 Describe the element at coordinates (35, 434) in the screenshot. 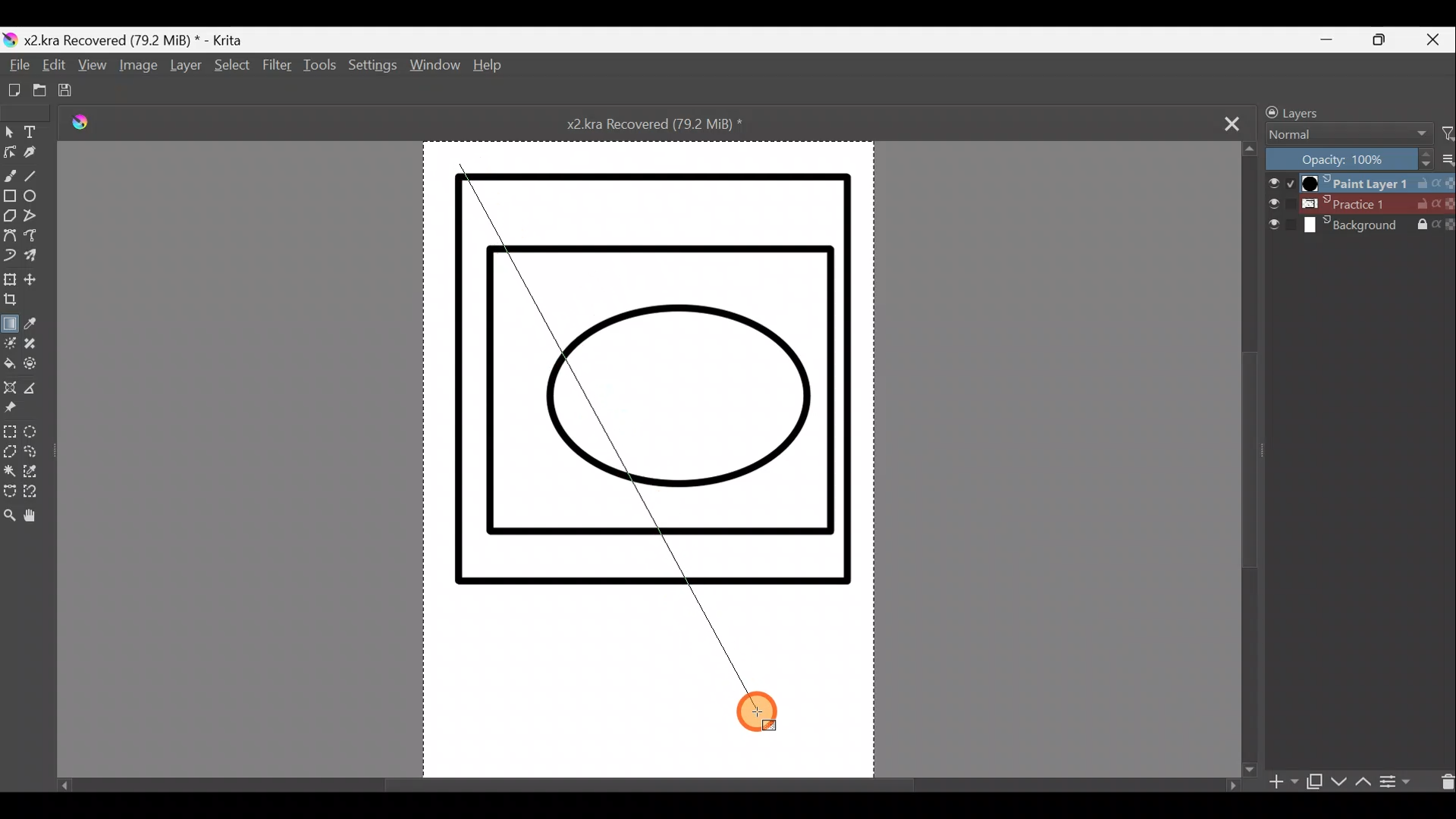

I see `Elliptical selection tool` at that location.